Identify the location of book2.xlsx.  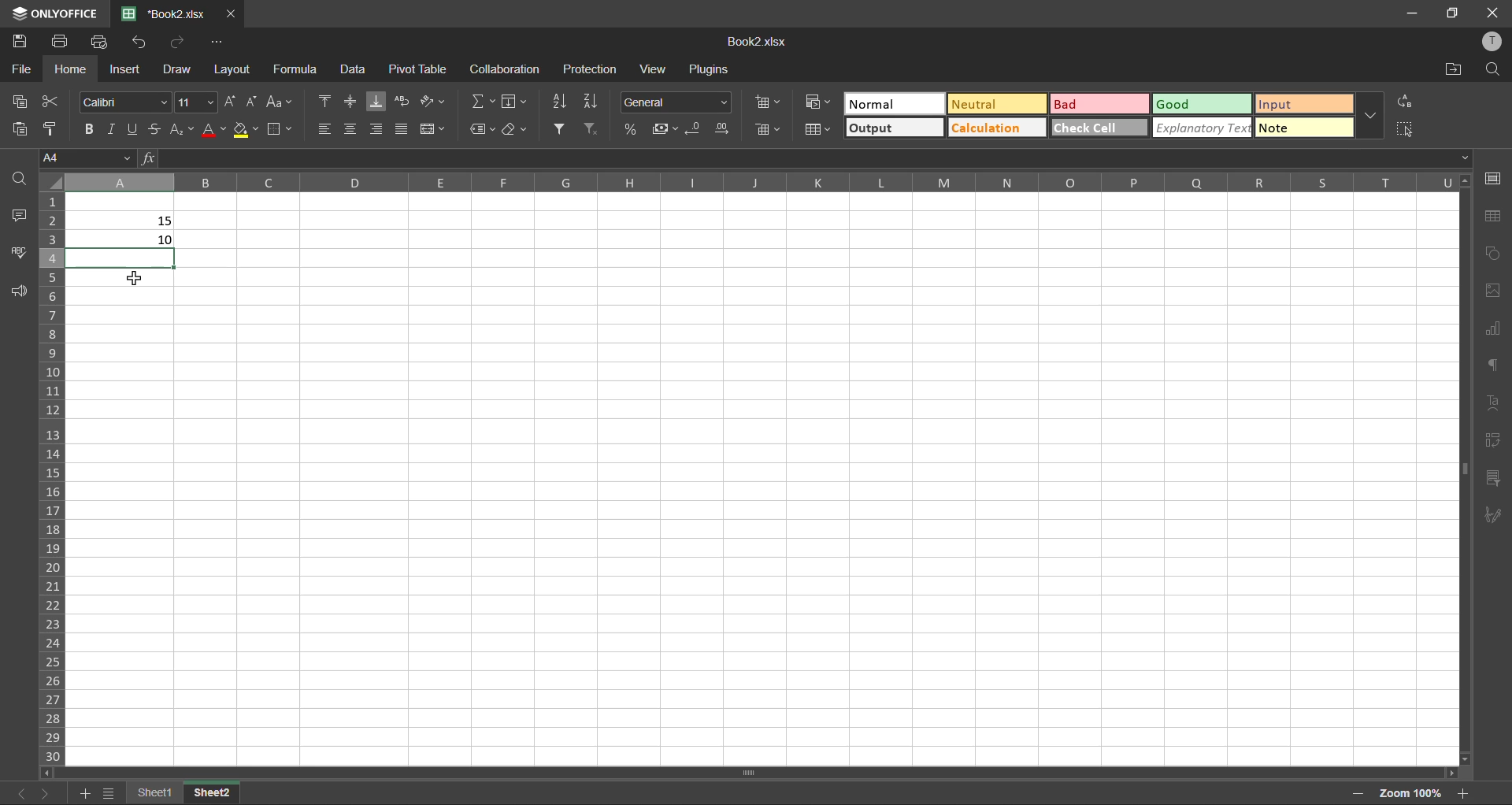
(762, 43).